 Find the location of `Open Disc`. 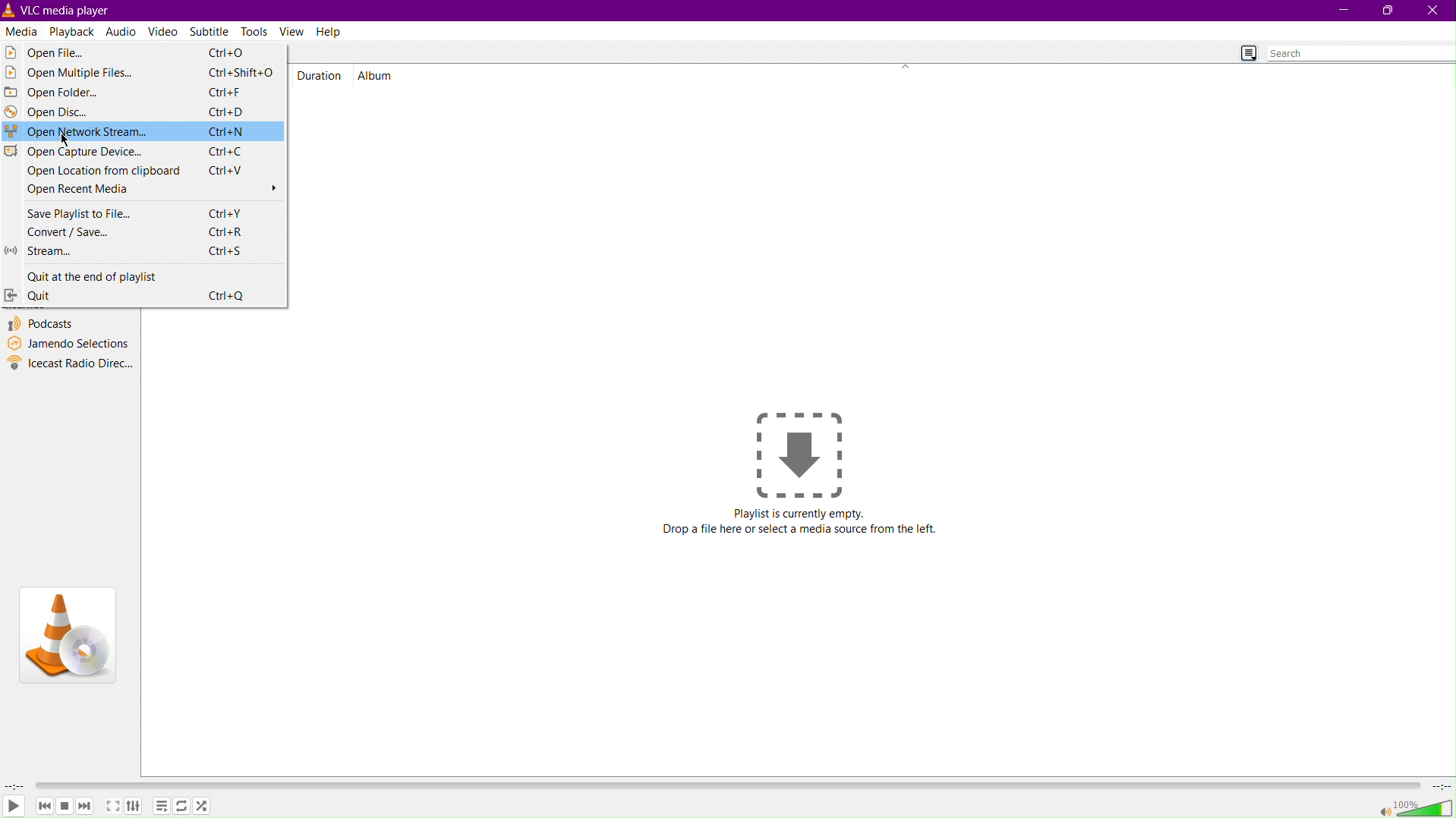

Open Disc is located at coordinates (72, 113).